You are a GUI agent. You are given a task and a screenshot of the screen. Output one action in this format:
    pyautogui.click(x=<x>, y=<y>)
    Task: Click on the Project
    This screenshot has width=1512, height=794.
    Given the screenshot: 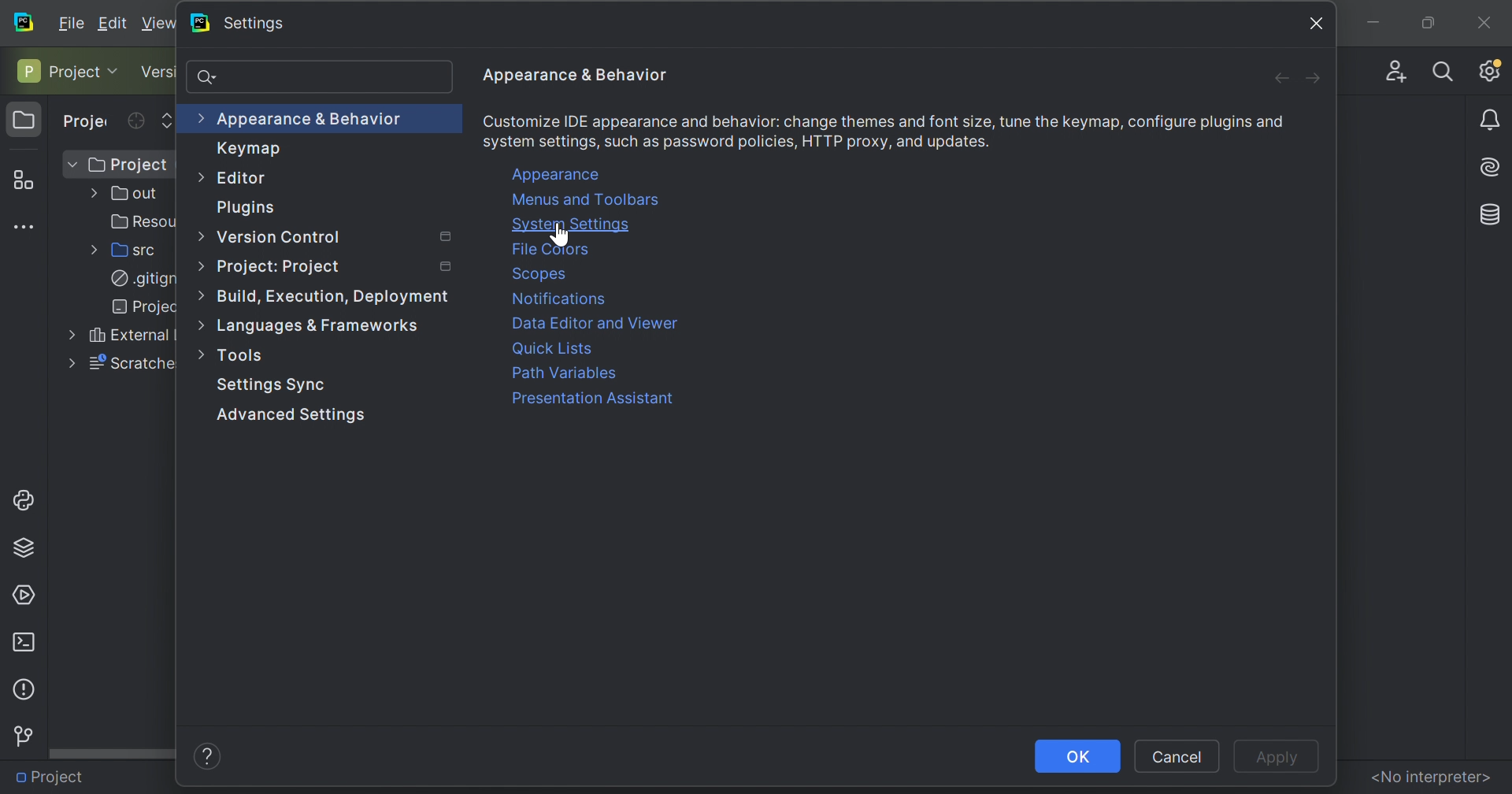 What is the action you would take?
    pyautogui.click(x=126, y=165)
    